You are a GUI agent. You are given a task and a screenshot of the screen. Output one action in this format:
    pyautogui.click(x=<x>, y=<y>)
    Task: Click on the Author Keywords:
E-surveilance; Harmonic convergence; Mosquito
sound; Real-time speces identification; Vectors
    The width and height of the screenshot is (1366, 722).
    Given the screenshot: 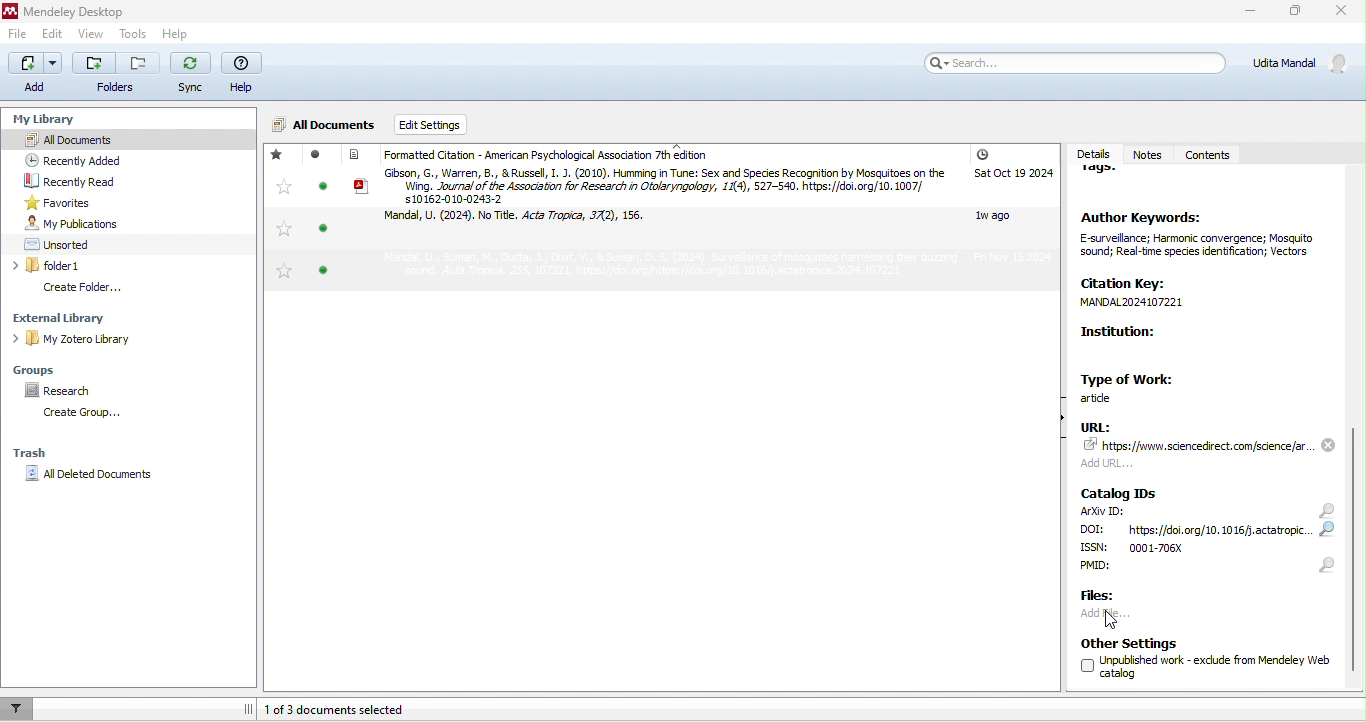 What is the action you would take?
    pyautogui.click(x=1197, y=239)
    